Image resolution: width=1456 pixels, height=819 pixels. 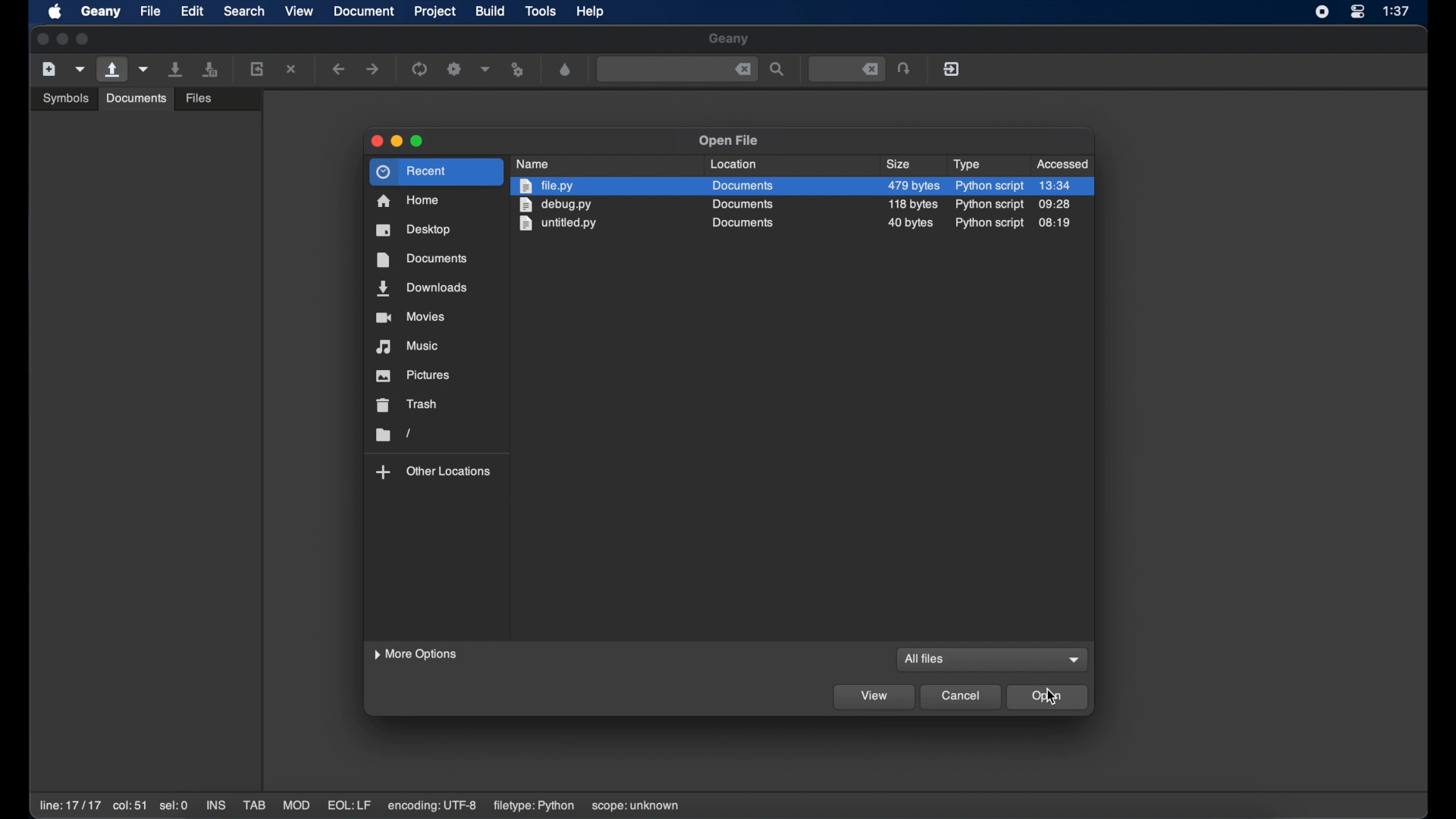 I want to click on build the current file, so click(x=455, y=68).